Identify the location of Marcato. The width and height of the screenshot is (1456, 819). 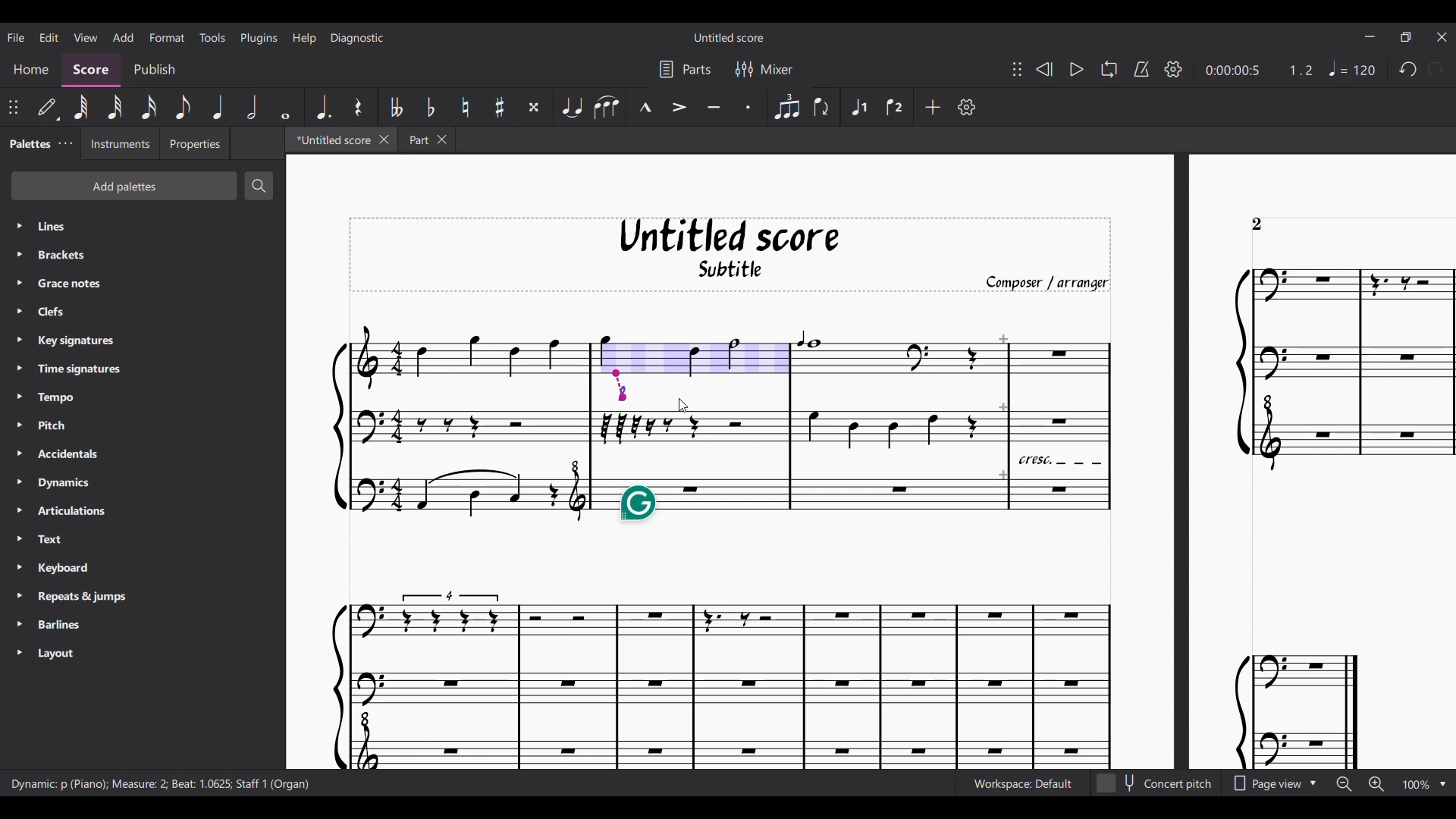
(645, 106).